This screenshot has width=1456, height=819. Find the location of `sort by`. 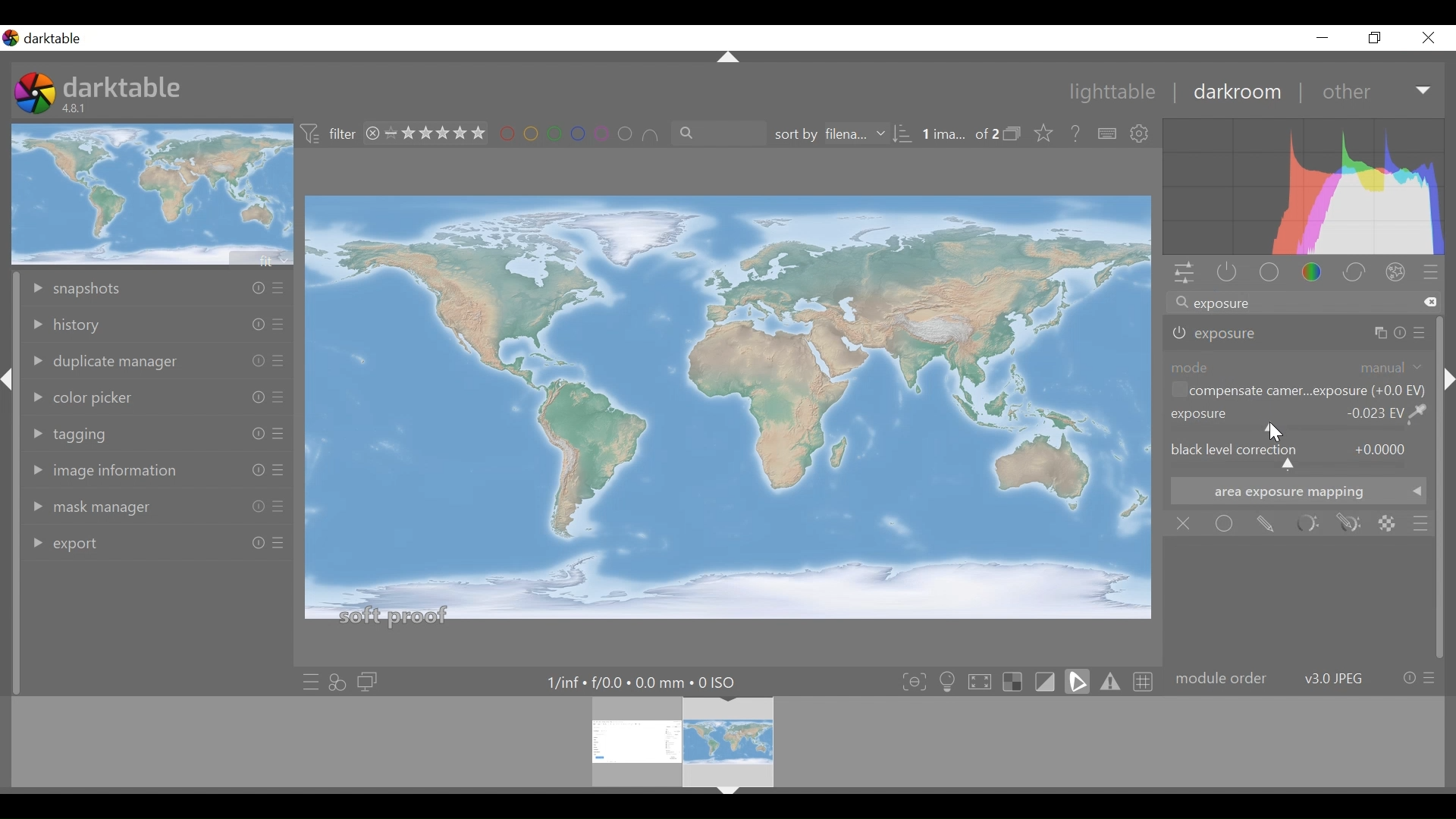

sort by is located at coordinates (838, 135).